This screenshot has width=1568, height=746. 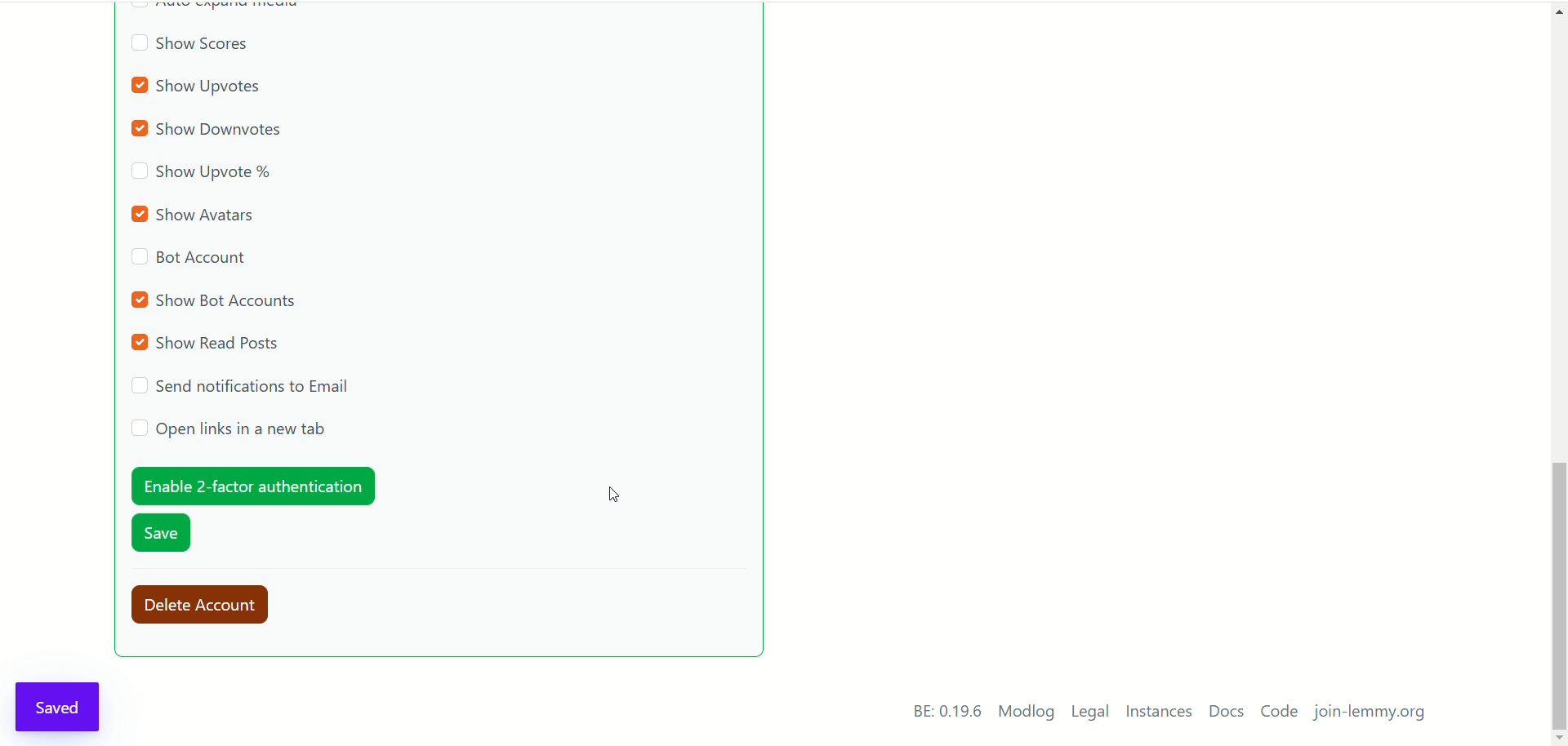 I want to click on show scores, so click(x=189, y=47).